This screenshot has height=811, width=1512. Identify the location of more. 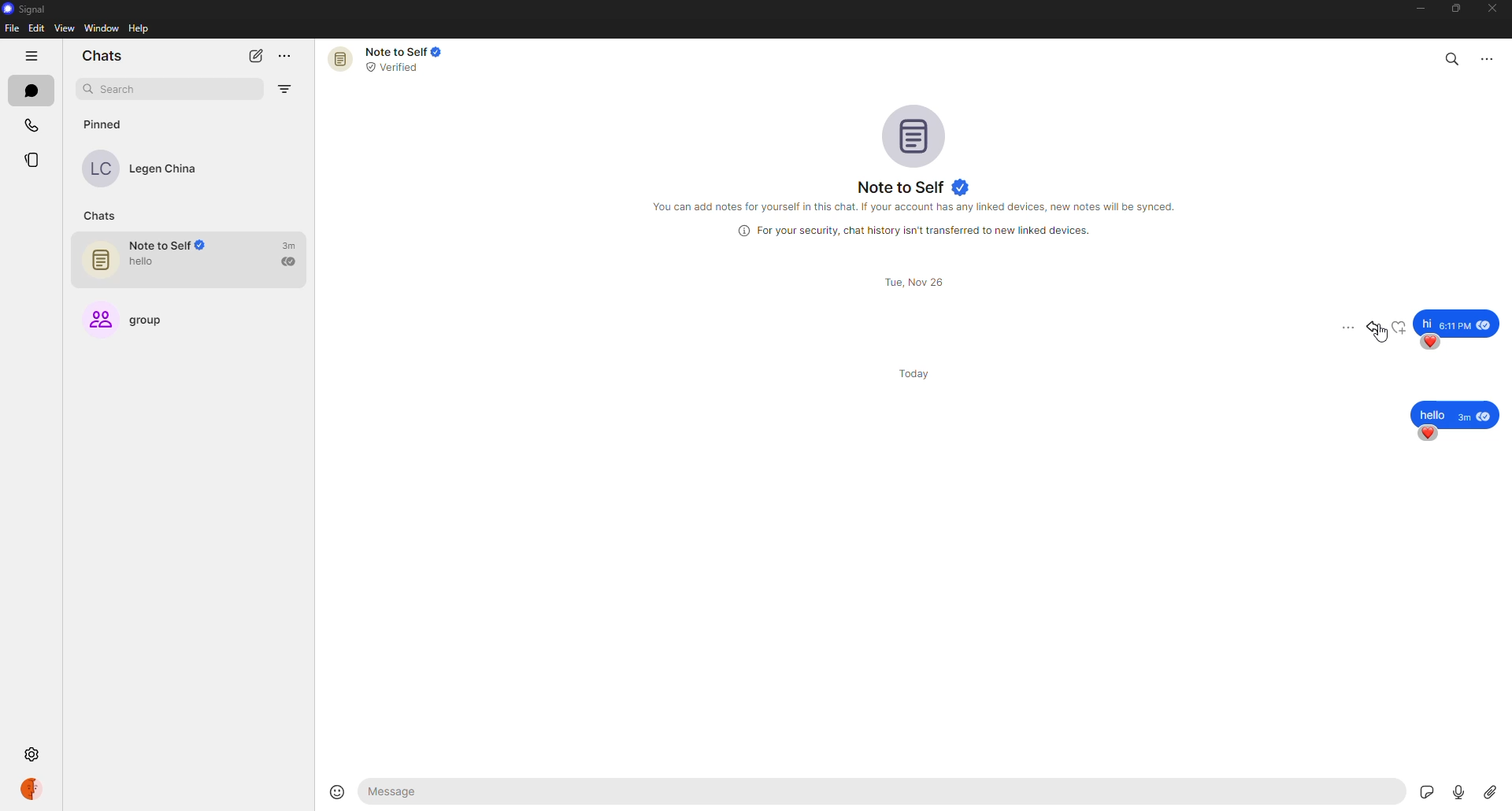
(1347, 327).